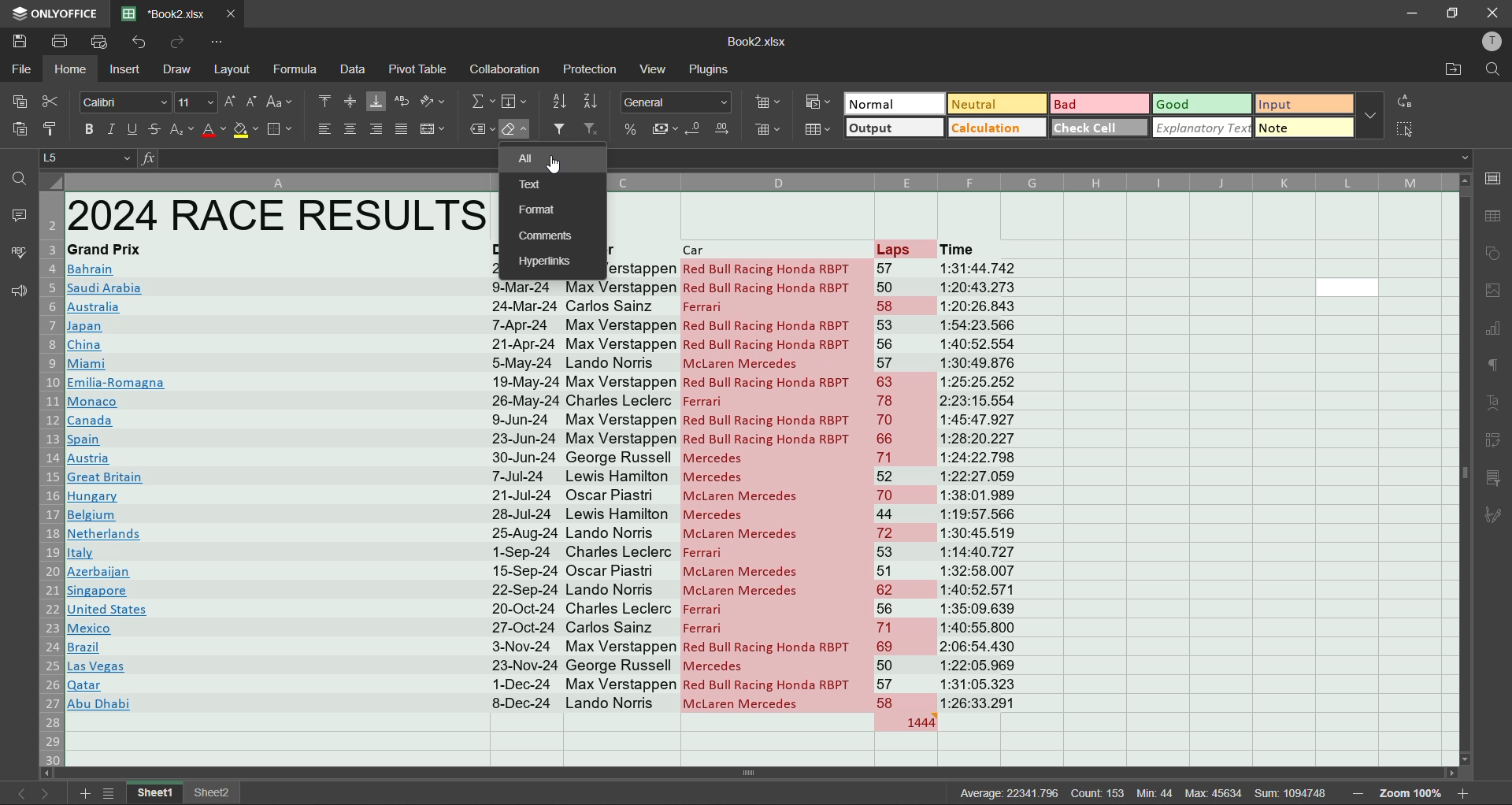  Describe the element at coordinates (18, 42) in the screenshot. I see `save` at that location.